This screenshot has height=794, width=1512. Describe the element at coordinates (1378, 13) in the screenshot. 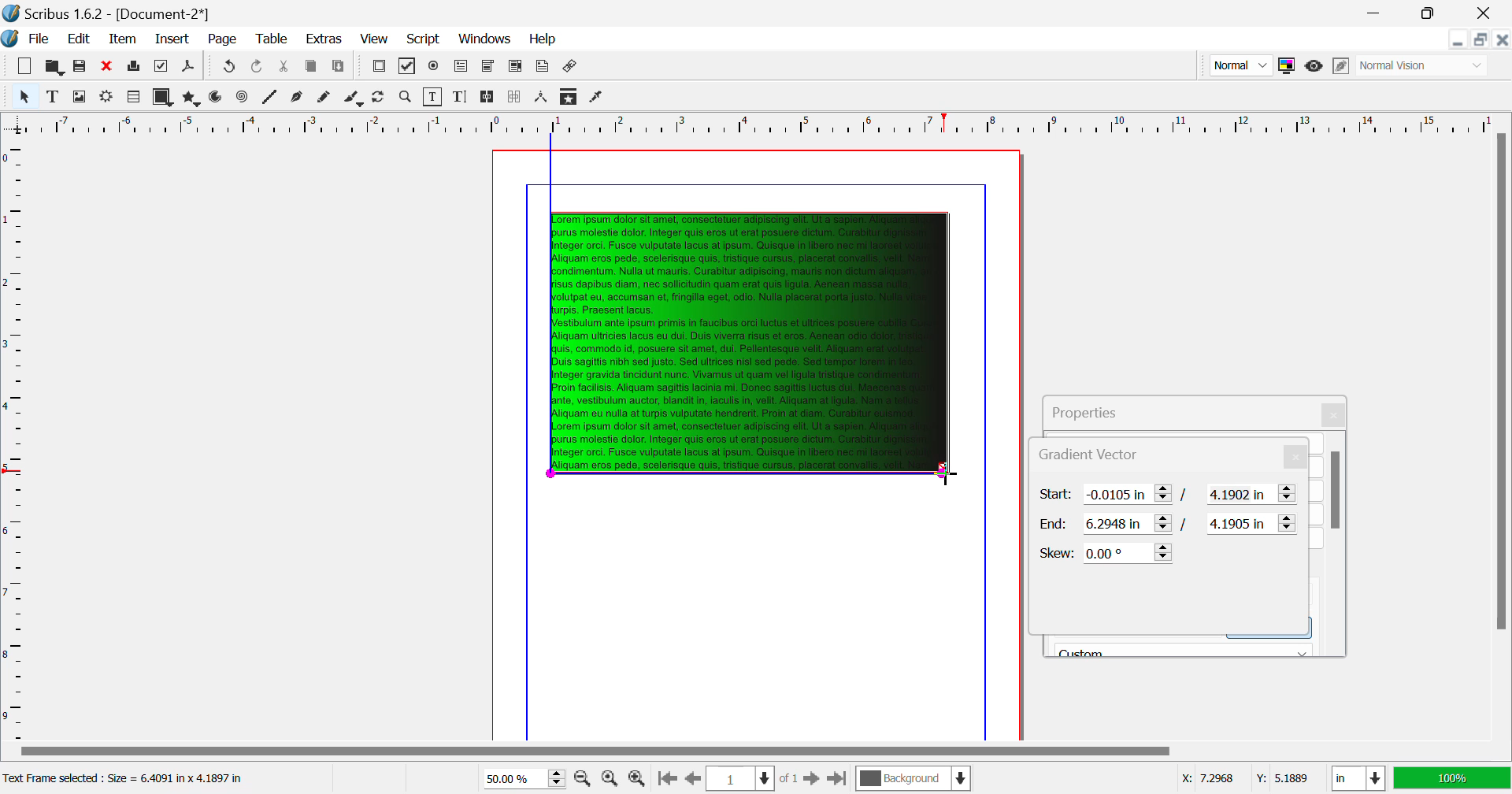

I see `Restore Down` at that location.